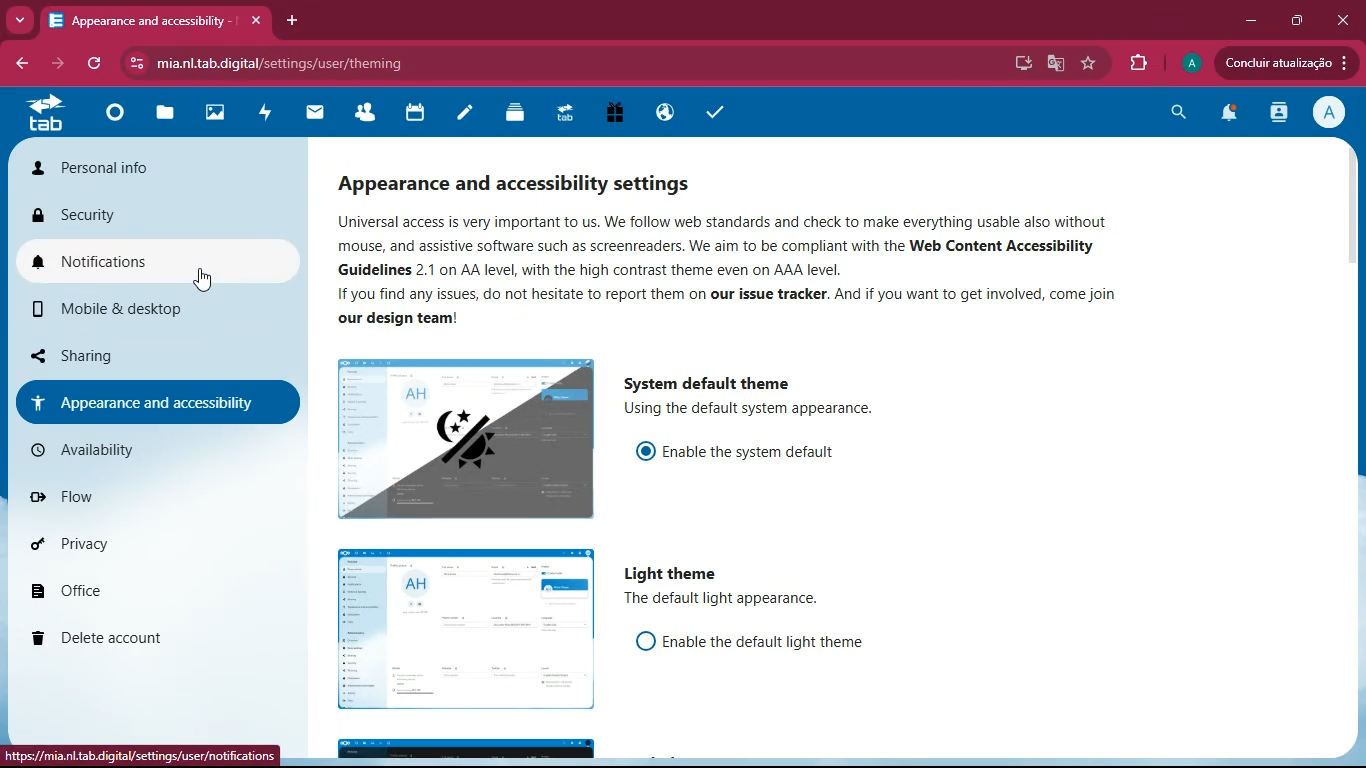 The width and height of the screenshot is (1366, 768). I want to click on https://mia.nl.tab.digital/settings/user/notifications, so click(140, 758).